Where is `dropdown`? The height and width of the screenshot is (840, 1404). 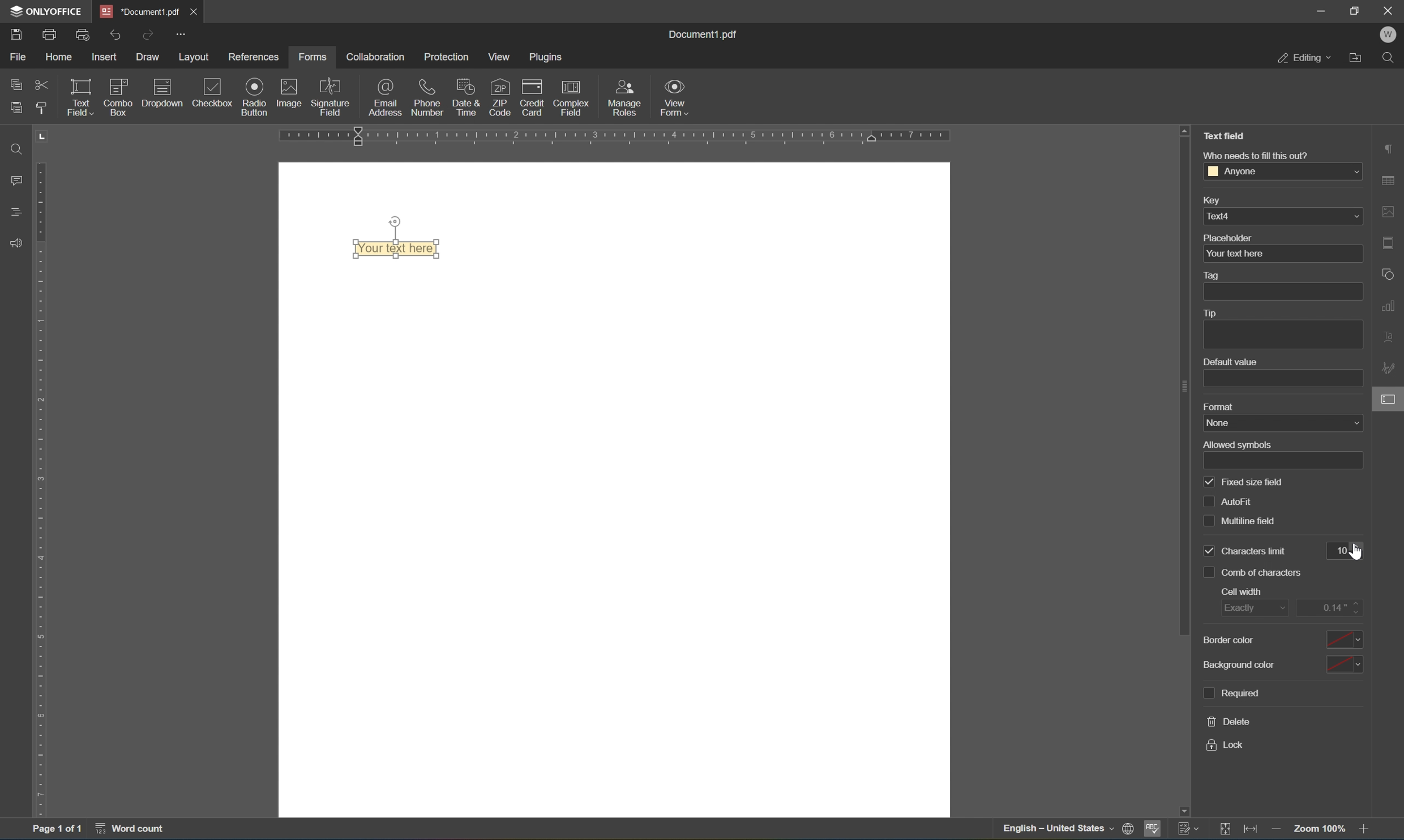
dropdown is located at coordinates (164, 90).